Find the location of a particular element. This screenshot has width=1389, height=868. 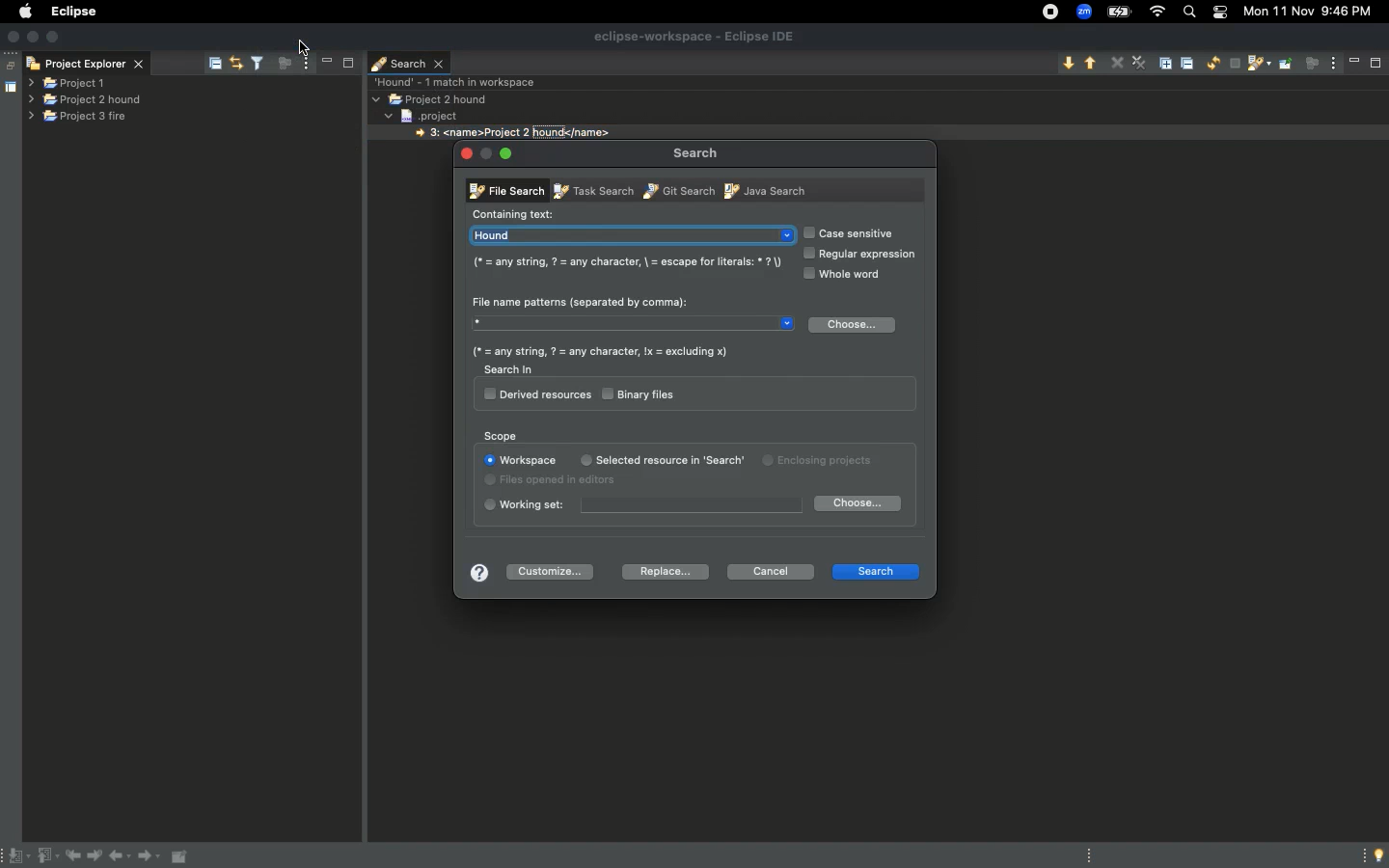

Derived resources is located at coordinates (536, 395).